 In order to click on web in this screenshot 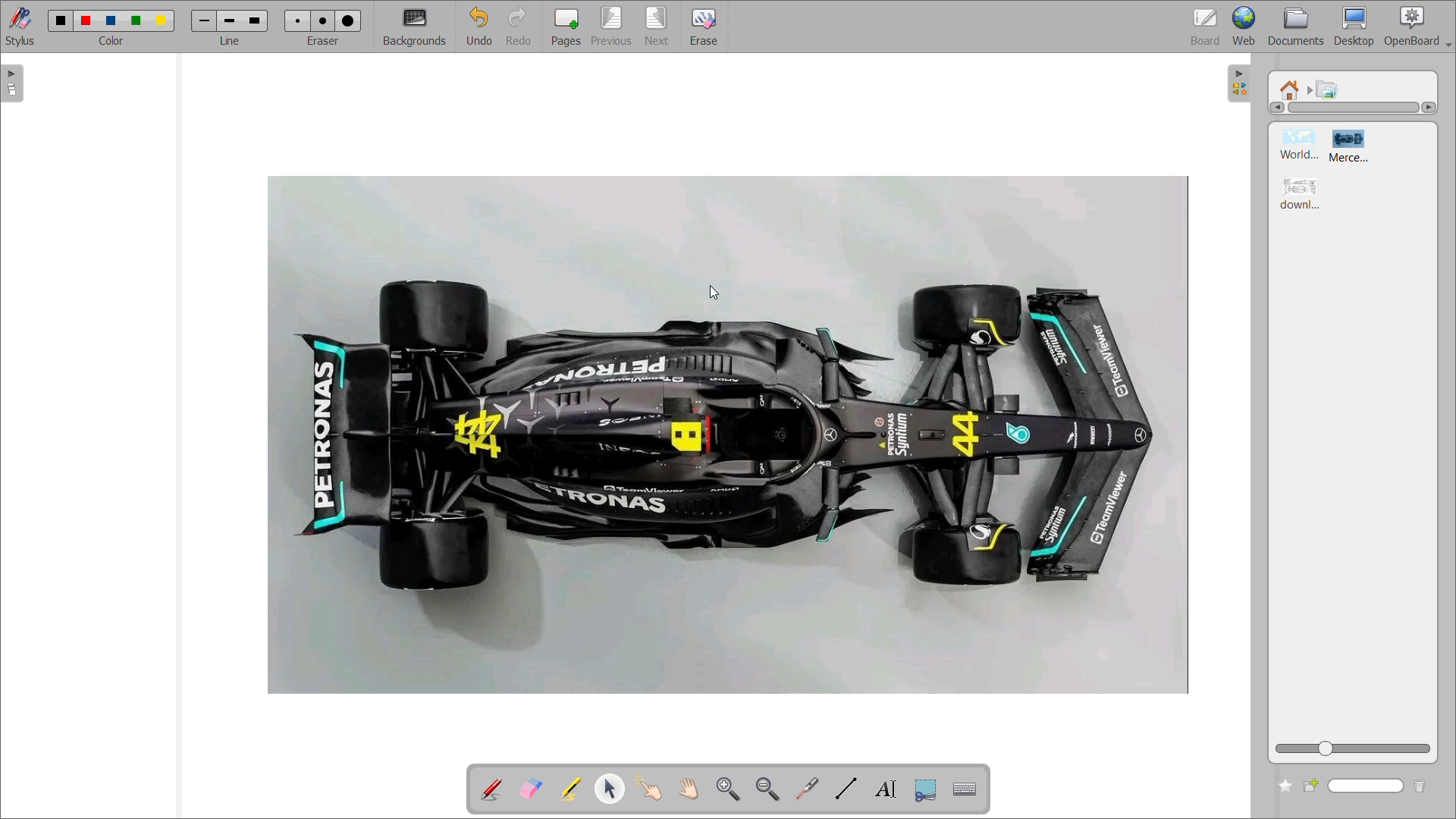, I will do `click(1244, 25)`.